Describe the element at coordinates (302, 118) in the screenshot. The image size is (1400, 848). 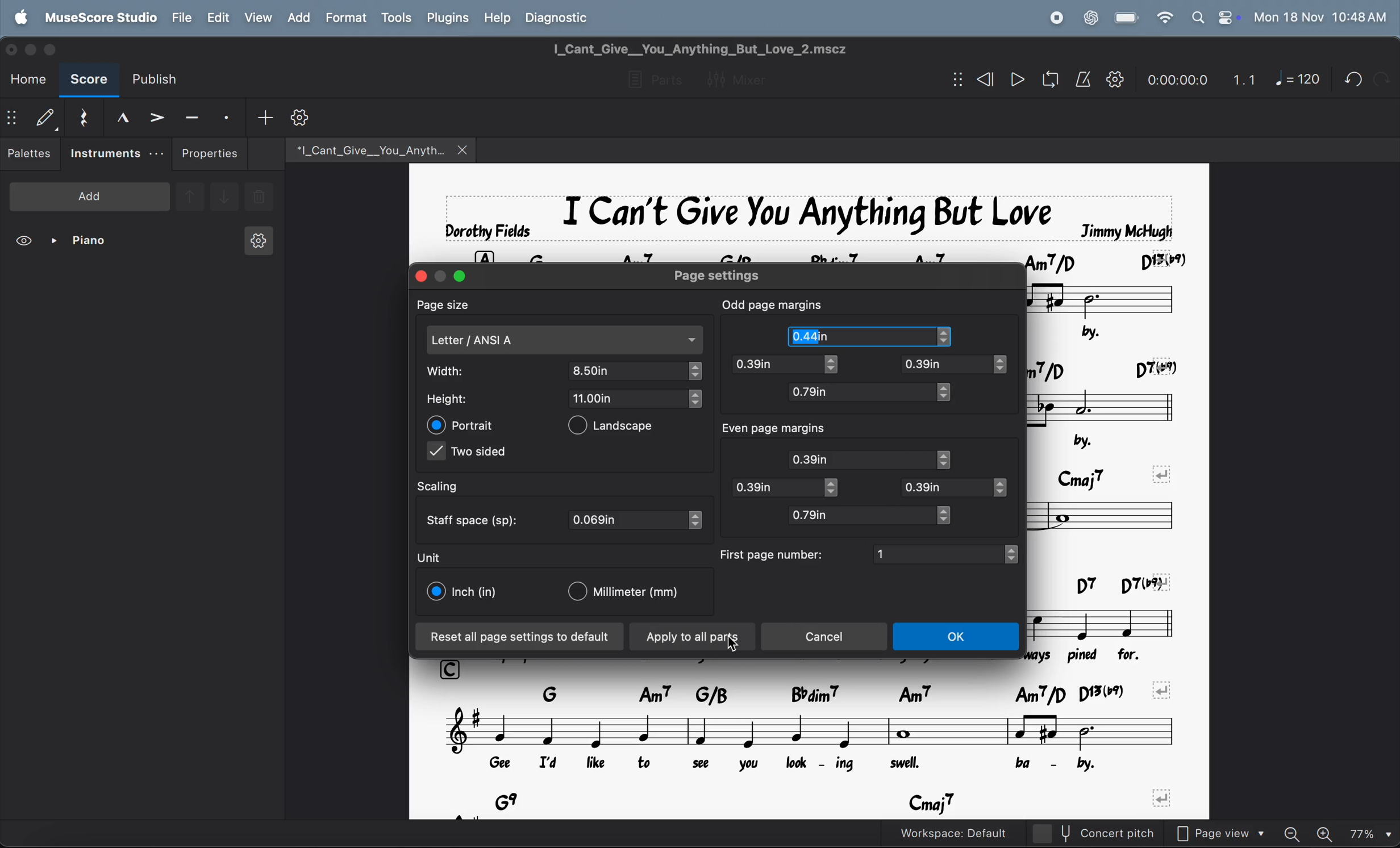
I see `toolbar setting` at that location.